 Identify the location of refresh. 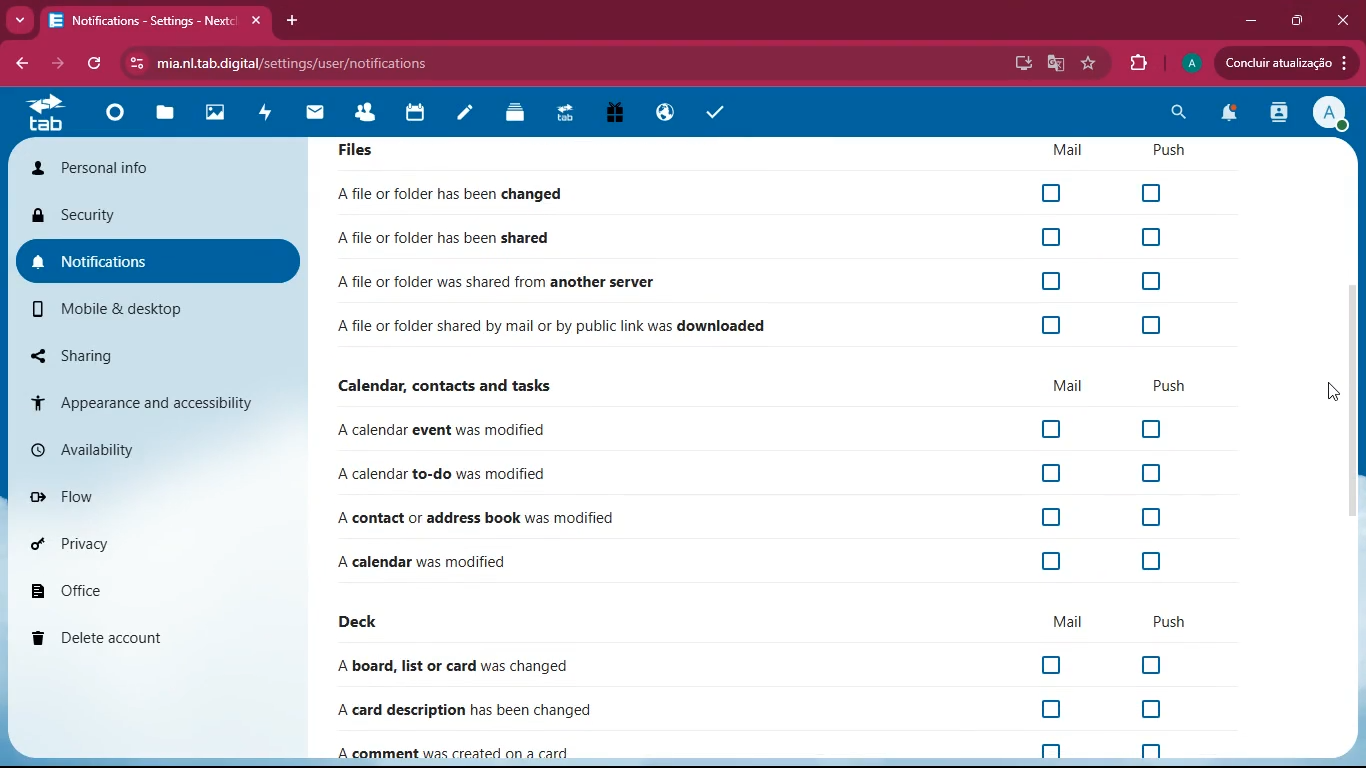
(98, 64).